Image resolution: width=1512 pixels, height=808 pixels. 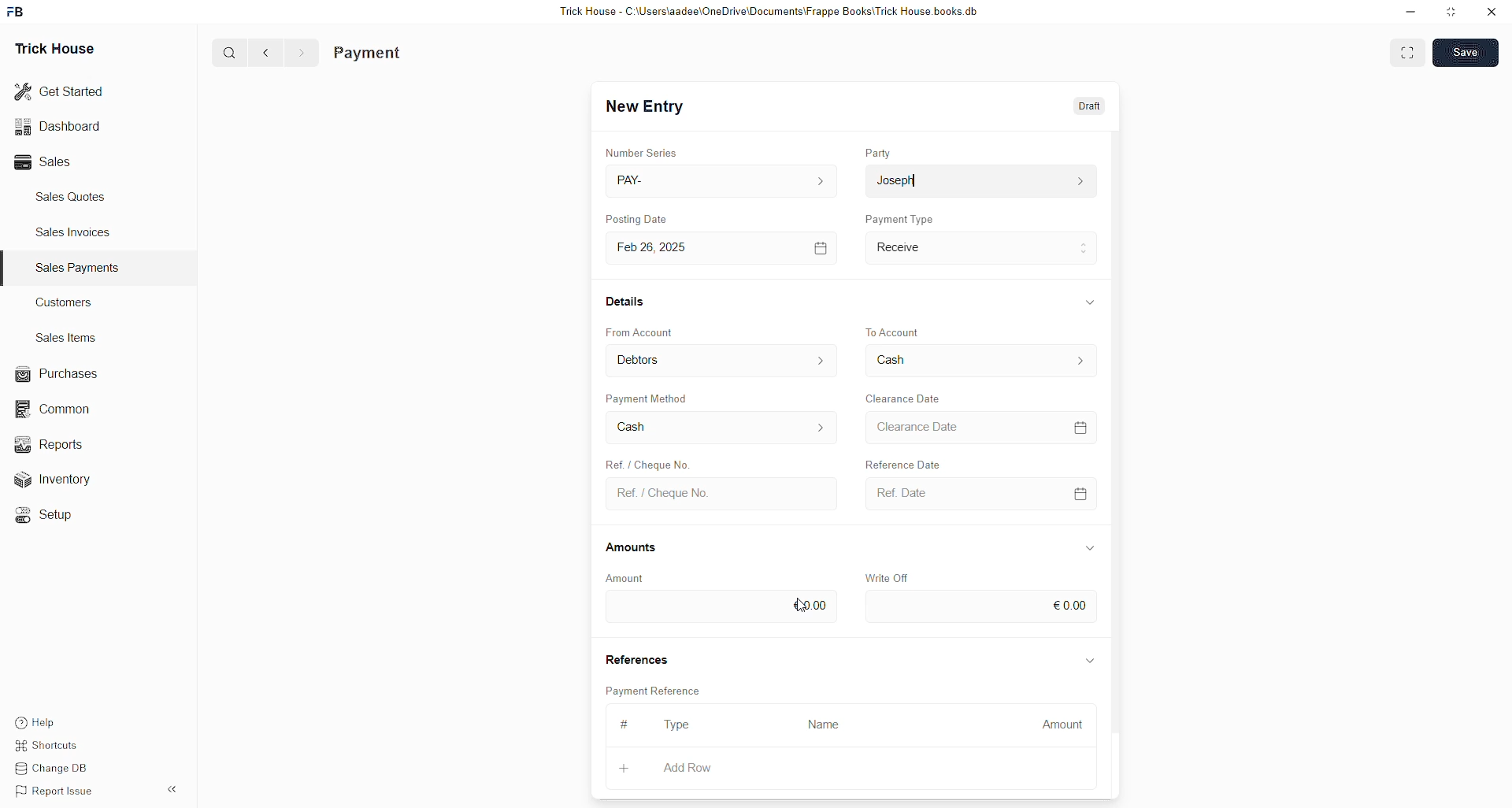 What do you see at coordinates (640, 332) in the screenshot?
I see `From Account` at bounding box center [640, 332].